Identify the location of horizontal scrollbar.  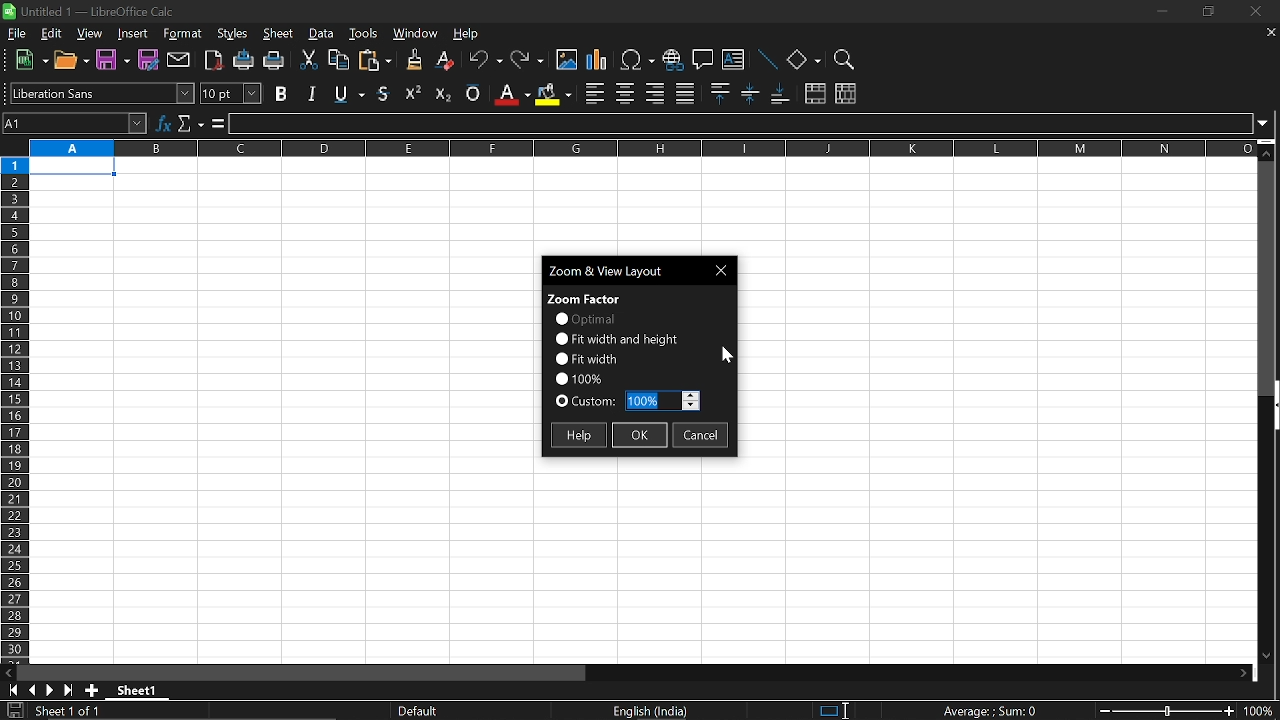
(306, 673).